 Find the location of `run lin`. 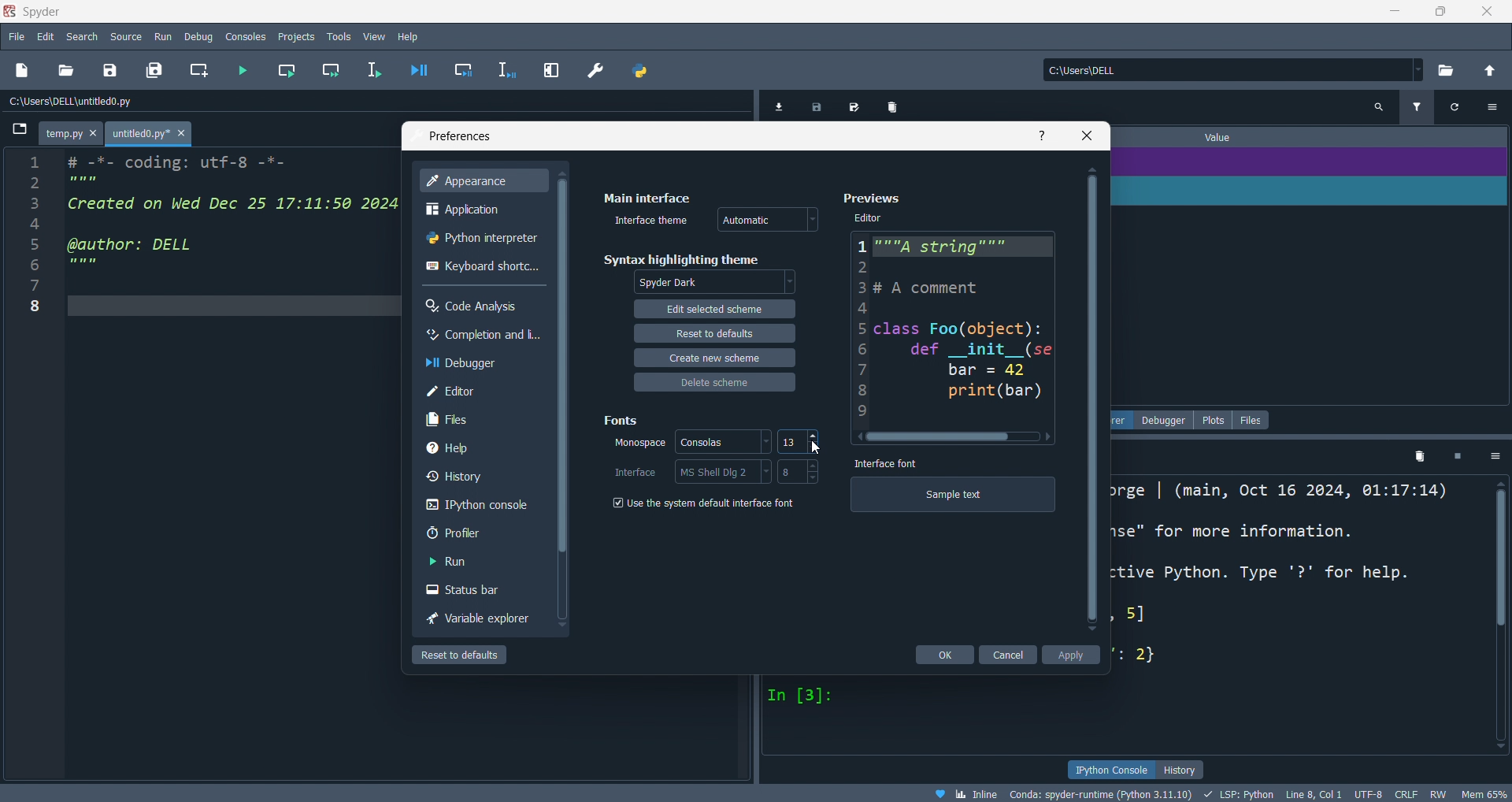

run lin is located at coordinates (376, 70).